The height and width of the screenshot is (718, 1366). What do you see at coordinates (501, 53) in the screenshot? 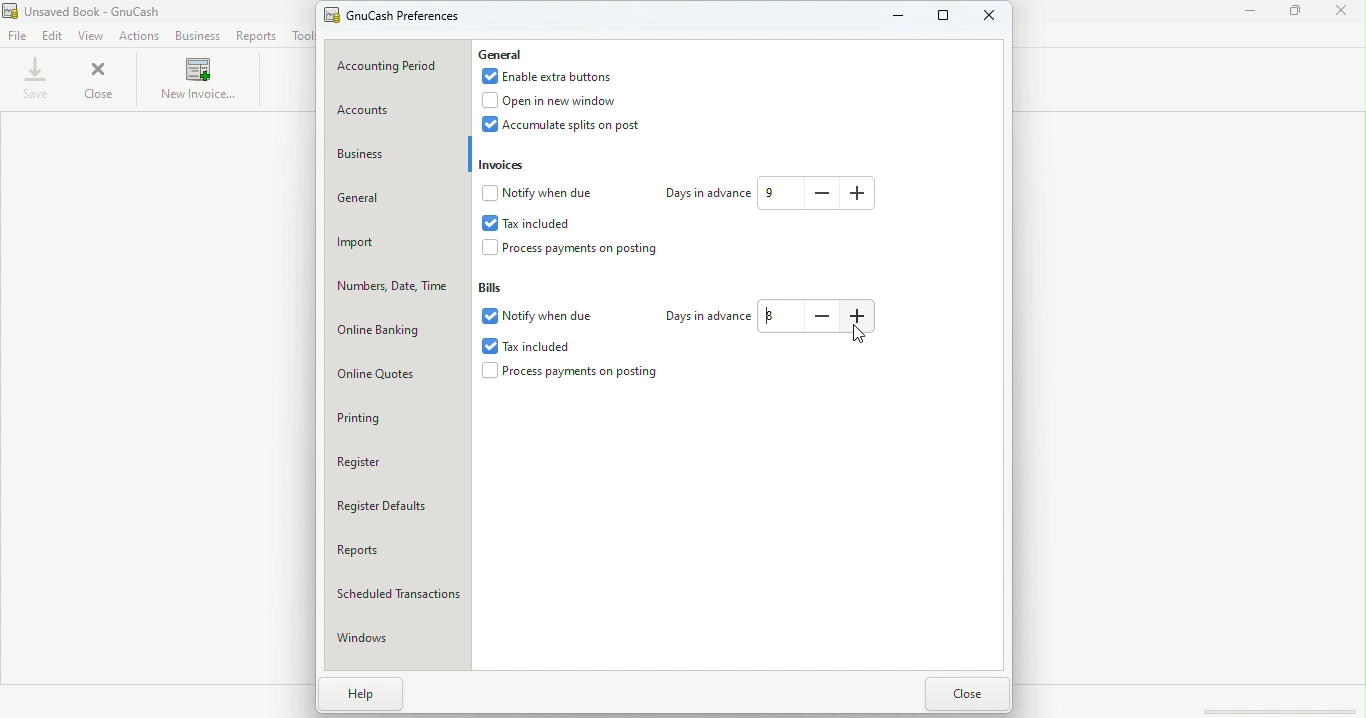
I see `General` at bounding box center [501, 53].